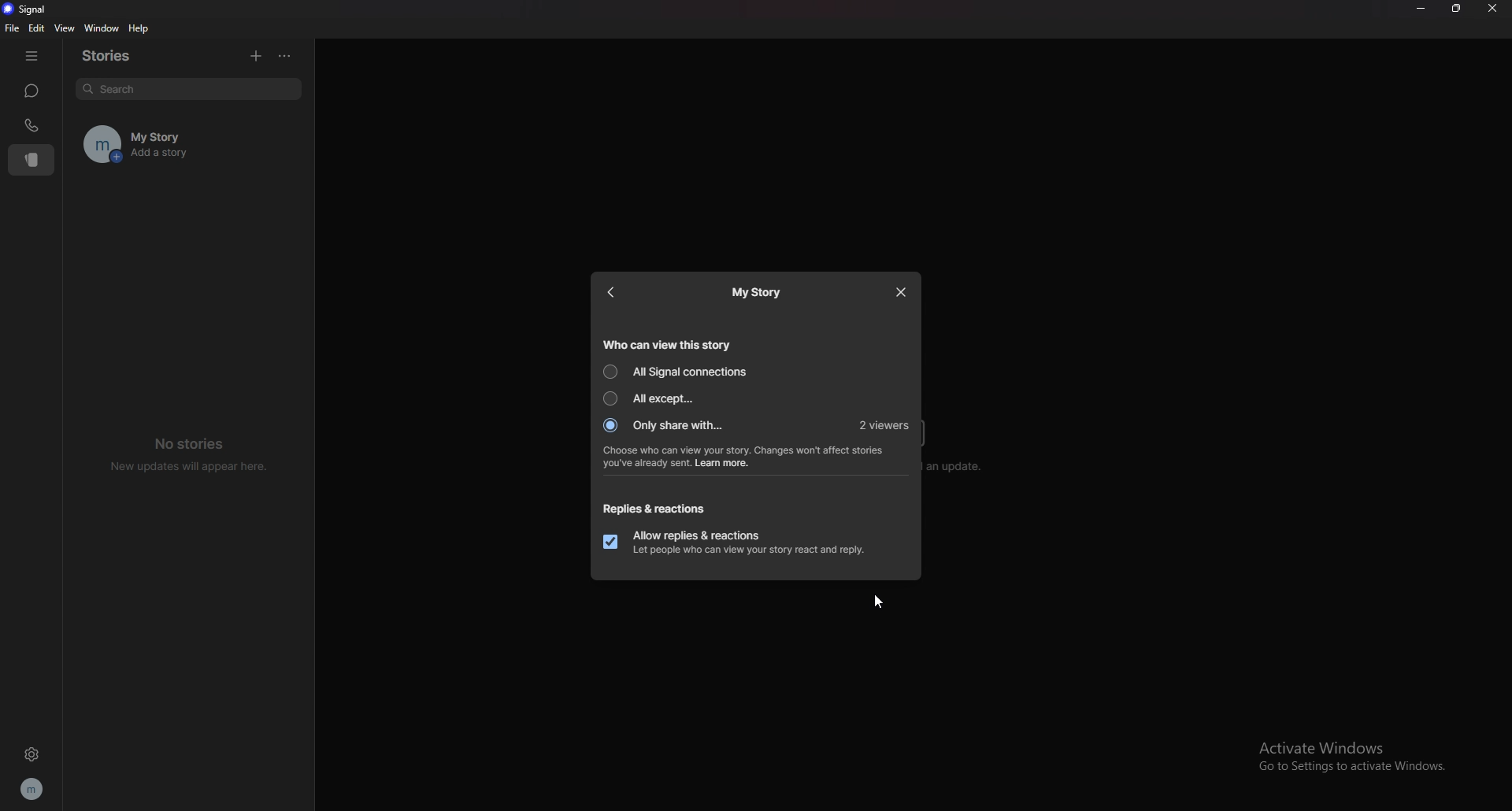  What do you see at coordinates (665, 425) in the screenshot?
I see `only share with` at bounding box center [665, 425].